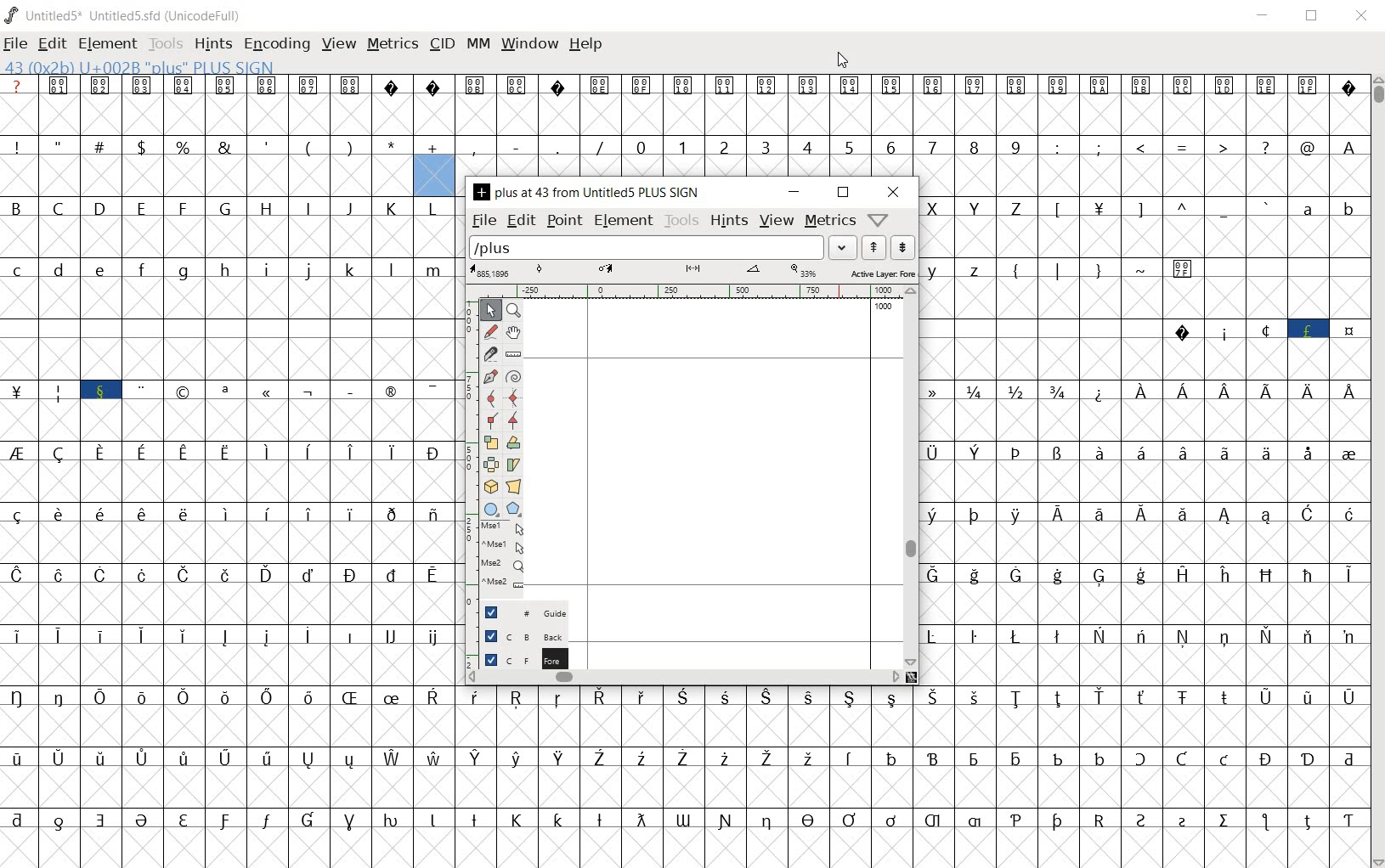 The width and height of the screenshot is (1385, 868). I want to click on mathematical fraction, so click(1001, 410).